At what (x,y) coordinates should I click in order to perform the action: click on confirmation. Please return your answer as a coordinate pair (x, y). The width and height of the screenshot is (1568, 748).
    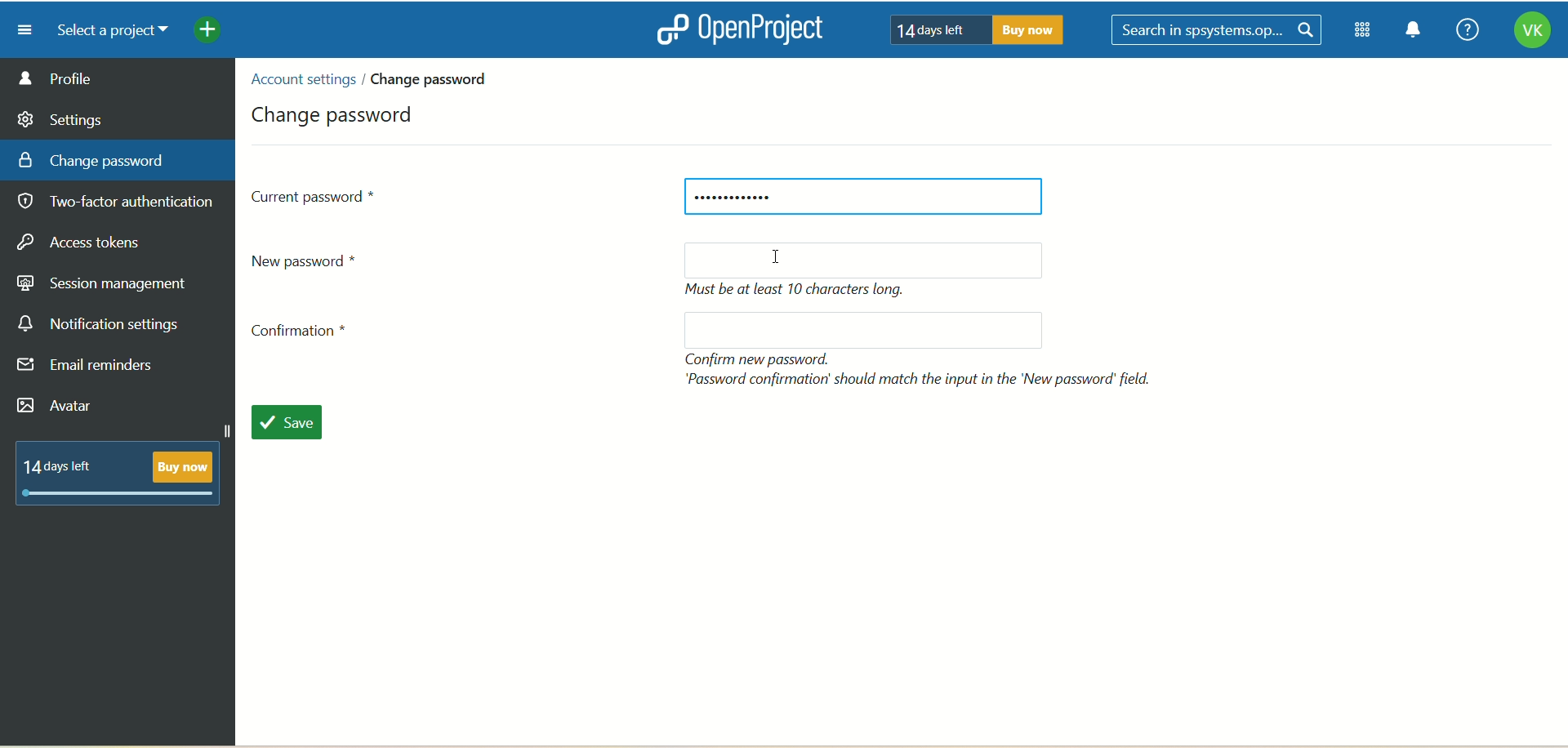
    Looking at the image, I should click on (305, 335).